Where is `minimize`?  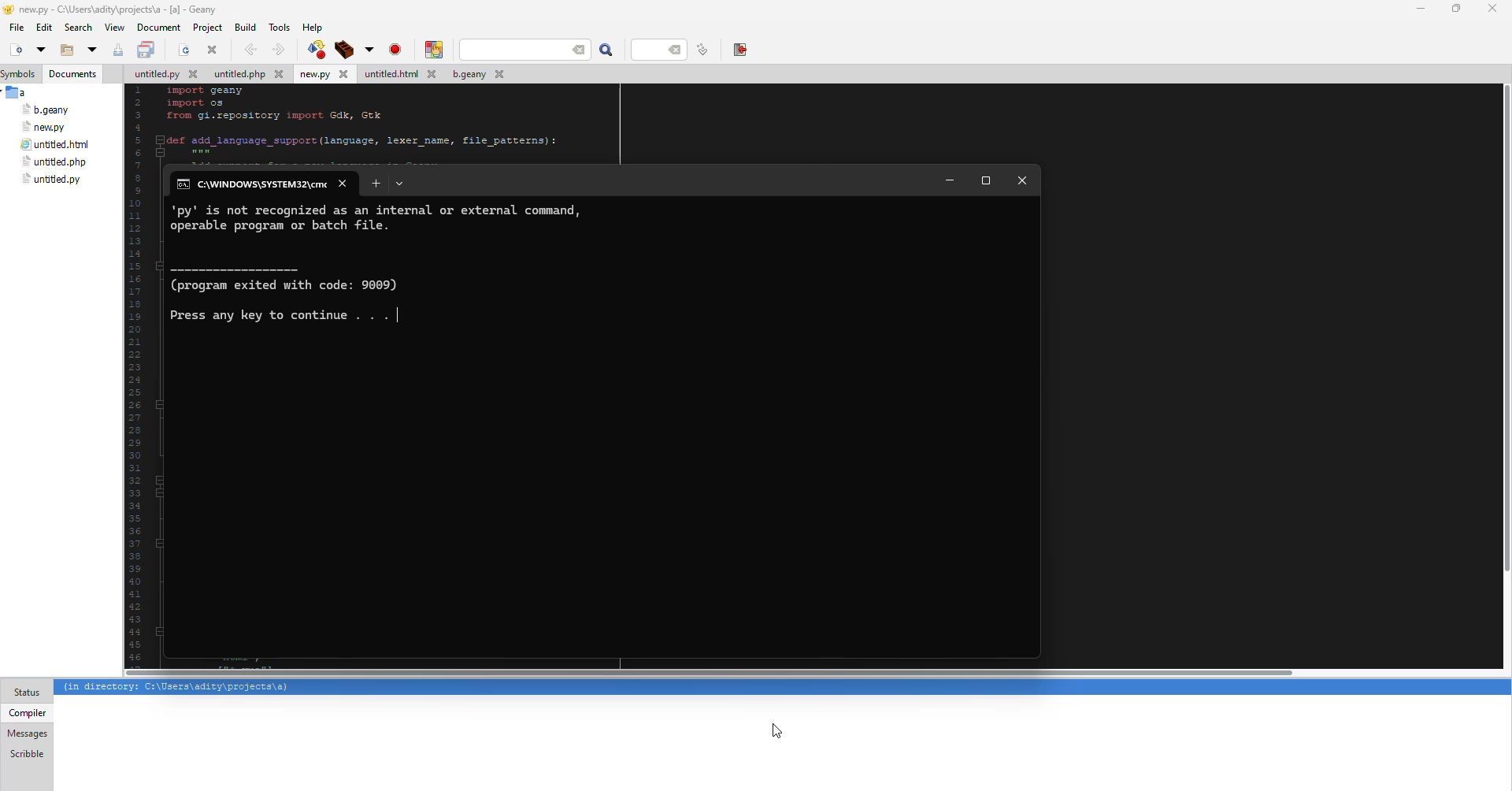 minimize is located at coordinates (1418, 8).